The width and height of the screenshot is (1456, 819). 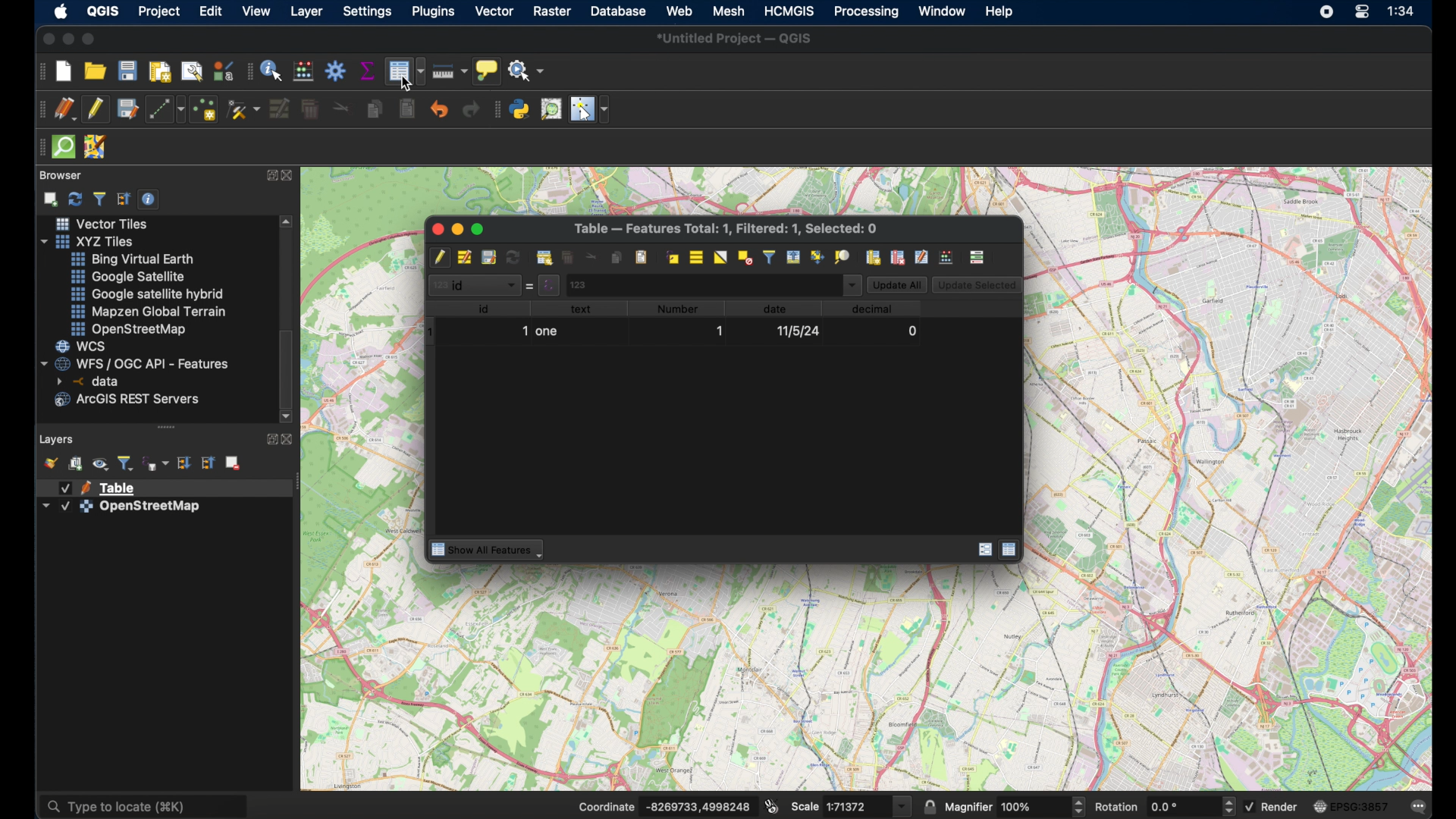 I want to click on drag handle, so click(x=170, y=428).